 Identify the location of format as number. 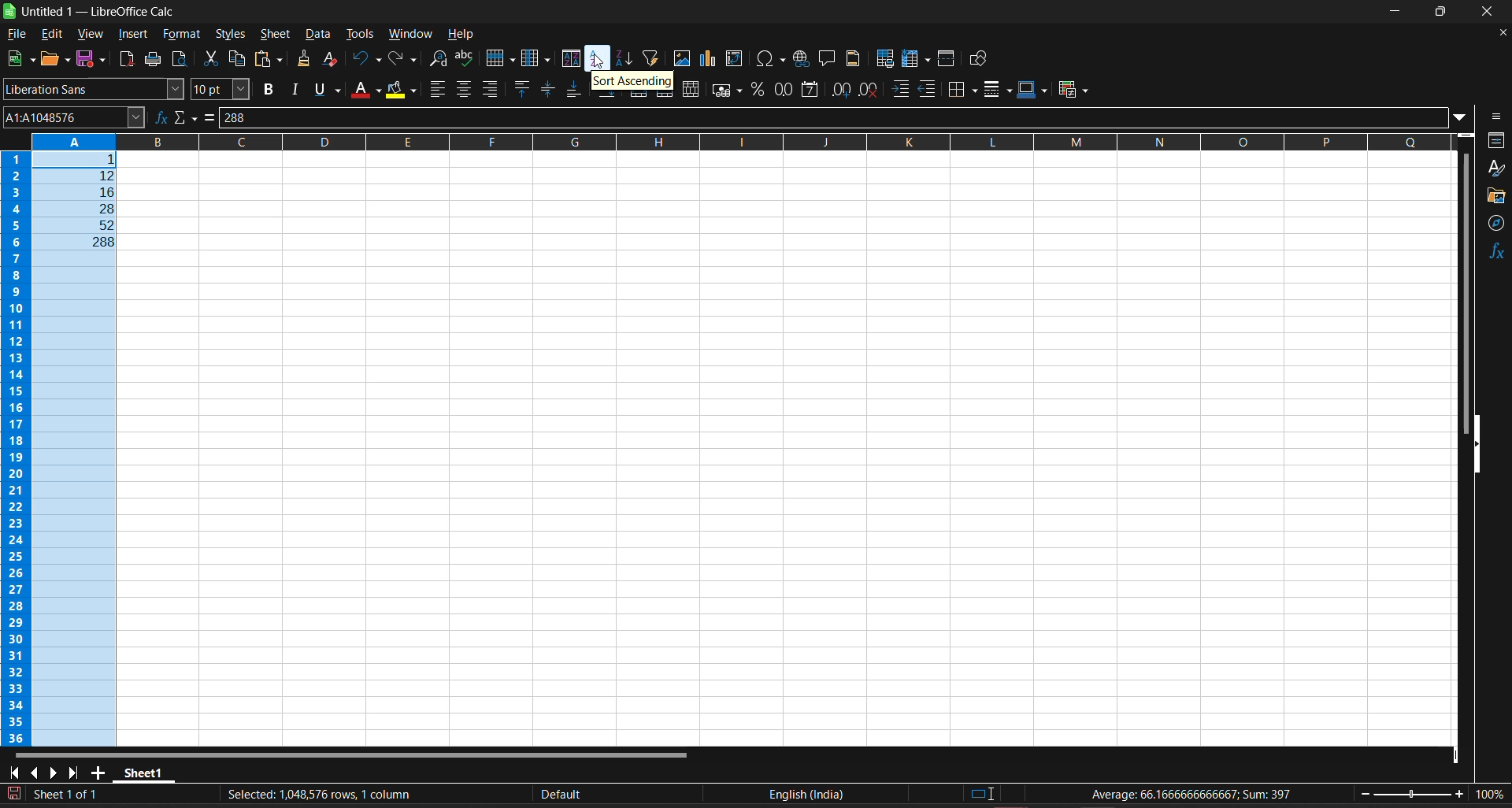
(784, 90).